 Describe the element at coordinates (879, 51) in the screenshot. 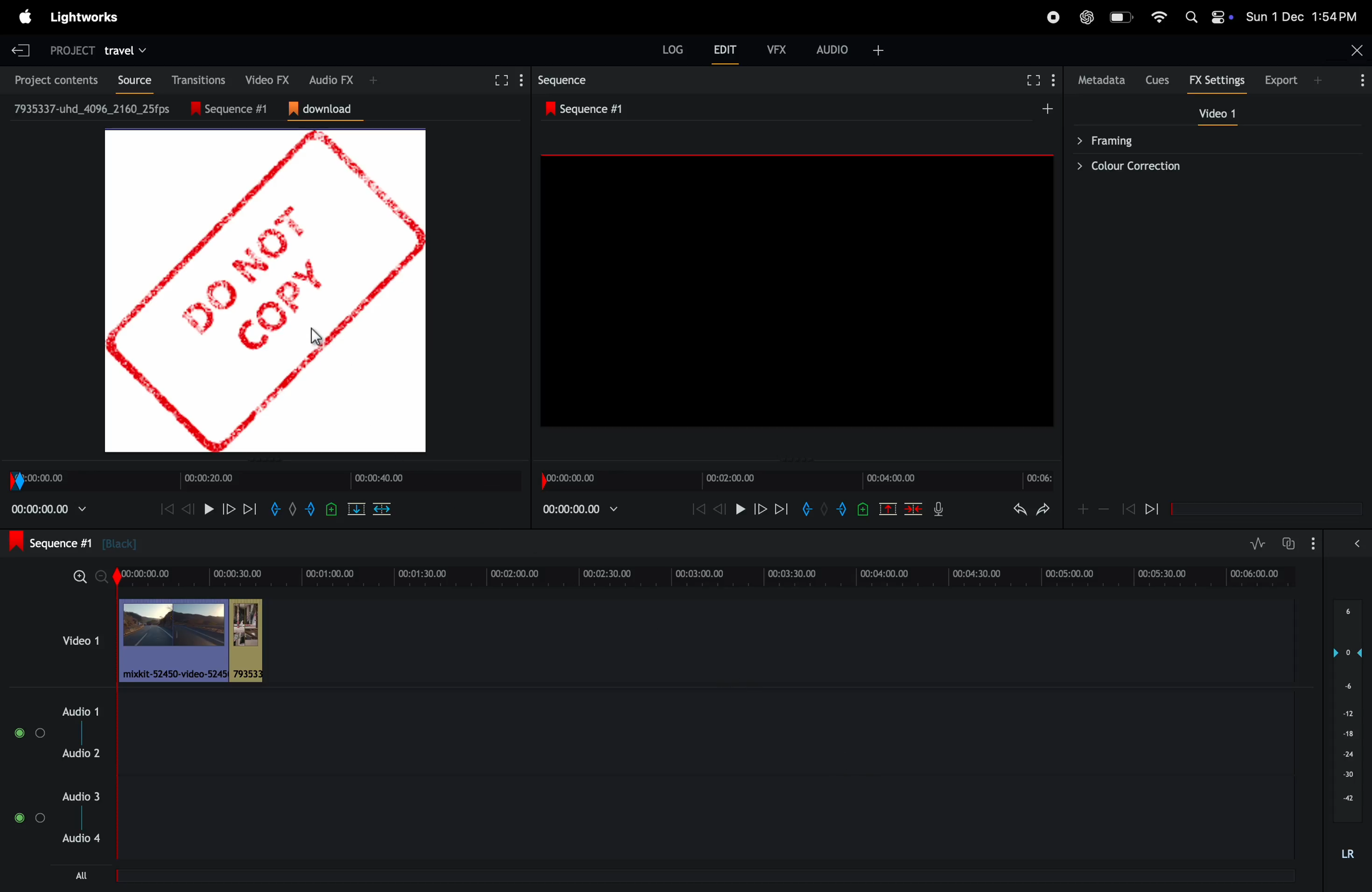

I see `Add` at that location.